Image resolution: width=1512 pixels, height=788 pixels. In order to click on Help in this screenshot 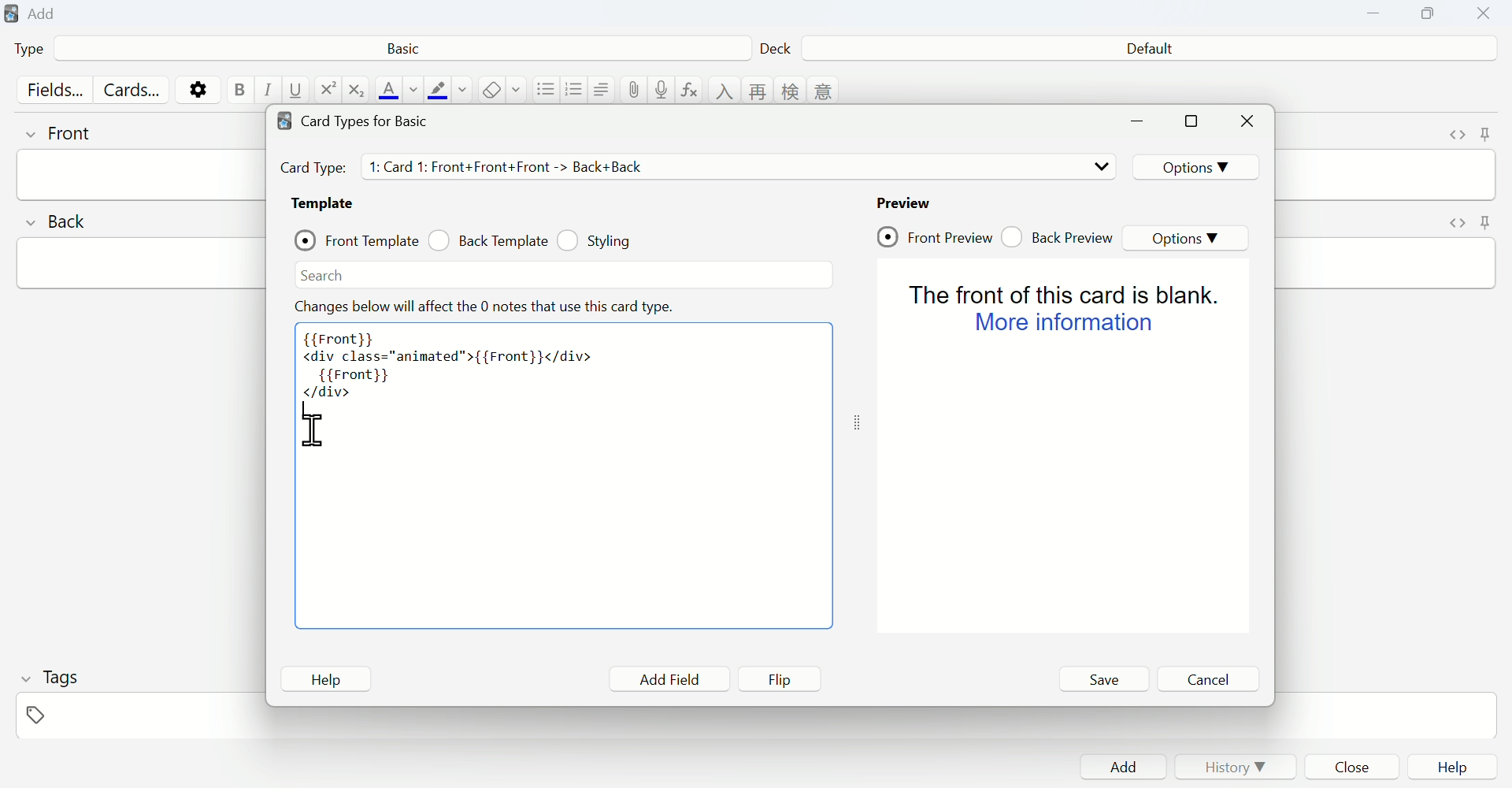, I will do `click(1453, 767)`.